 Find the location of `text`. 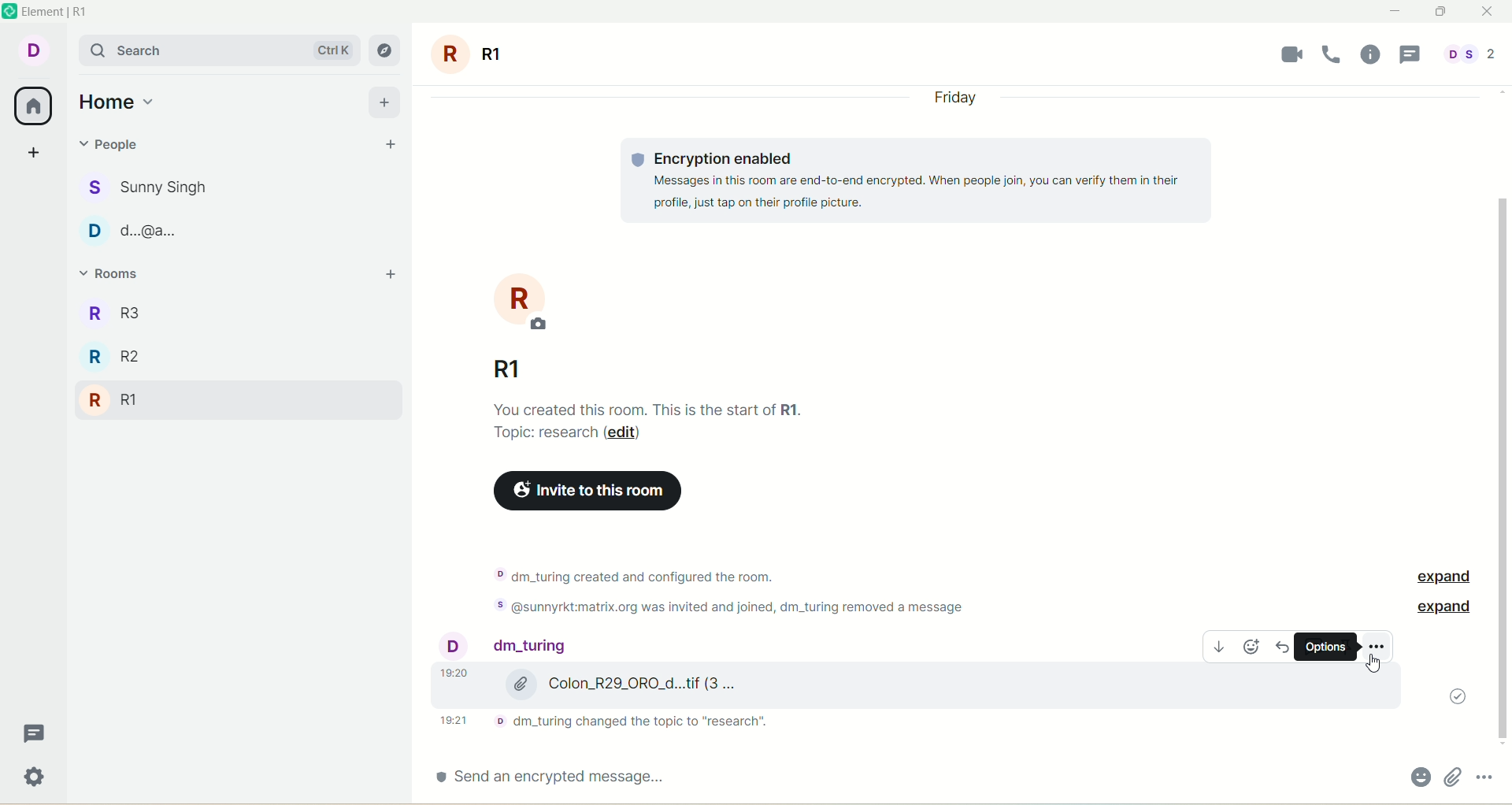

text is located at coordinates (753, 589).